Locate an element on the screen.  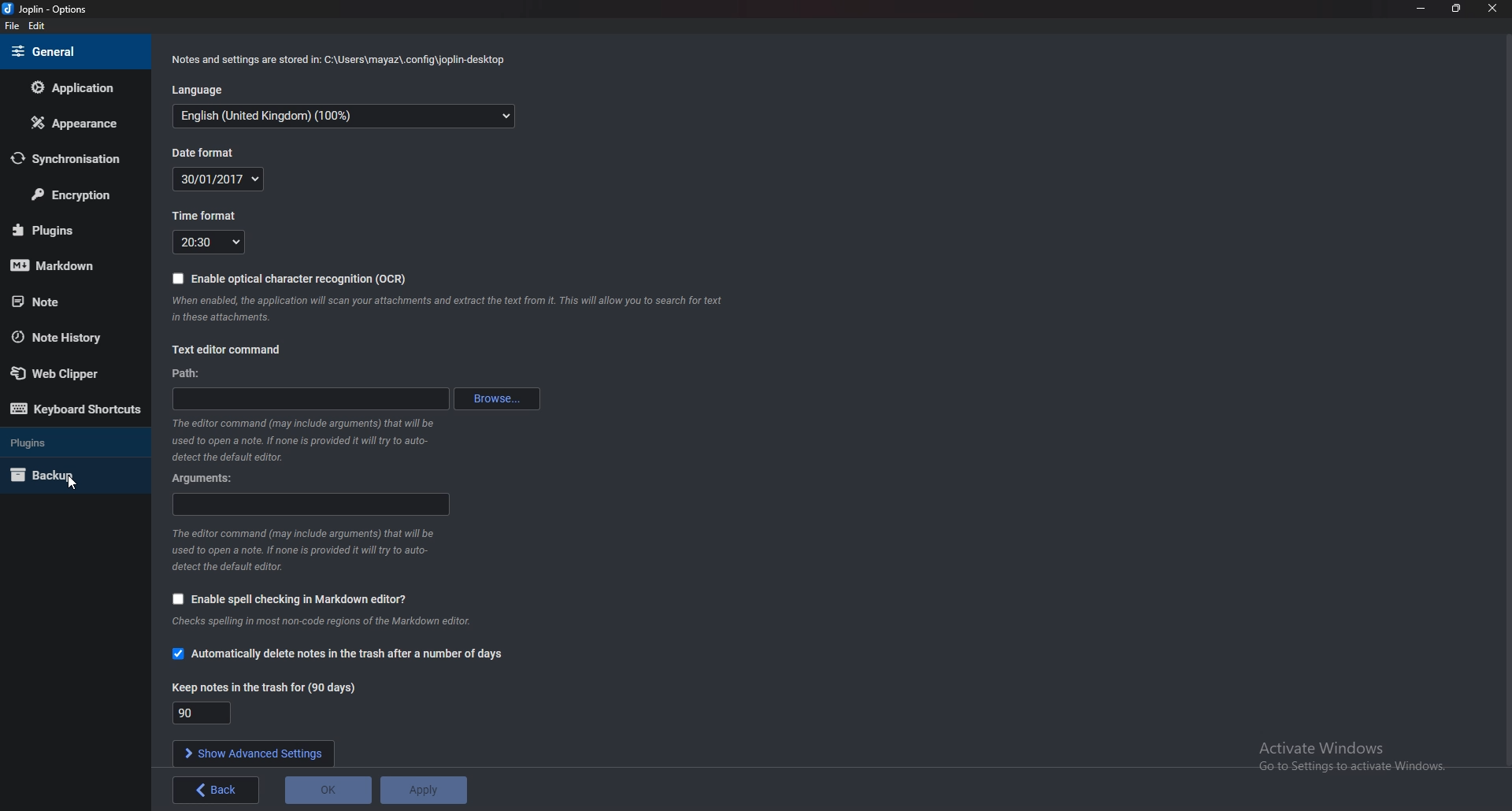
Info on editor command is located at coordinates (308, 439).